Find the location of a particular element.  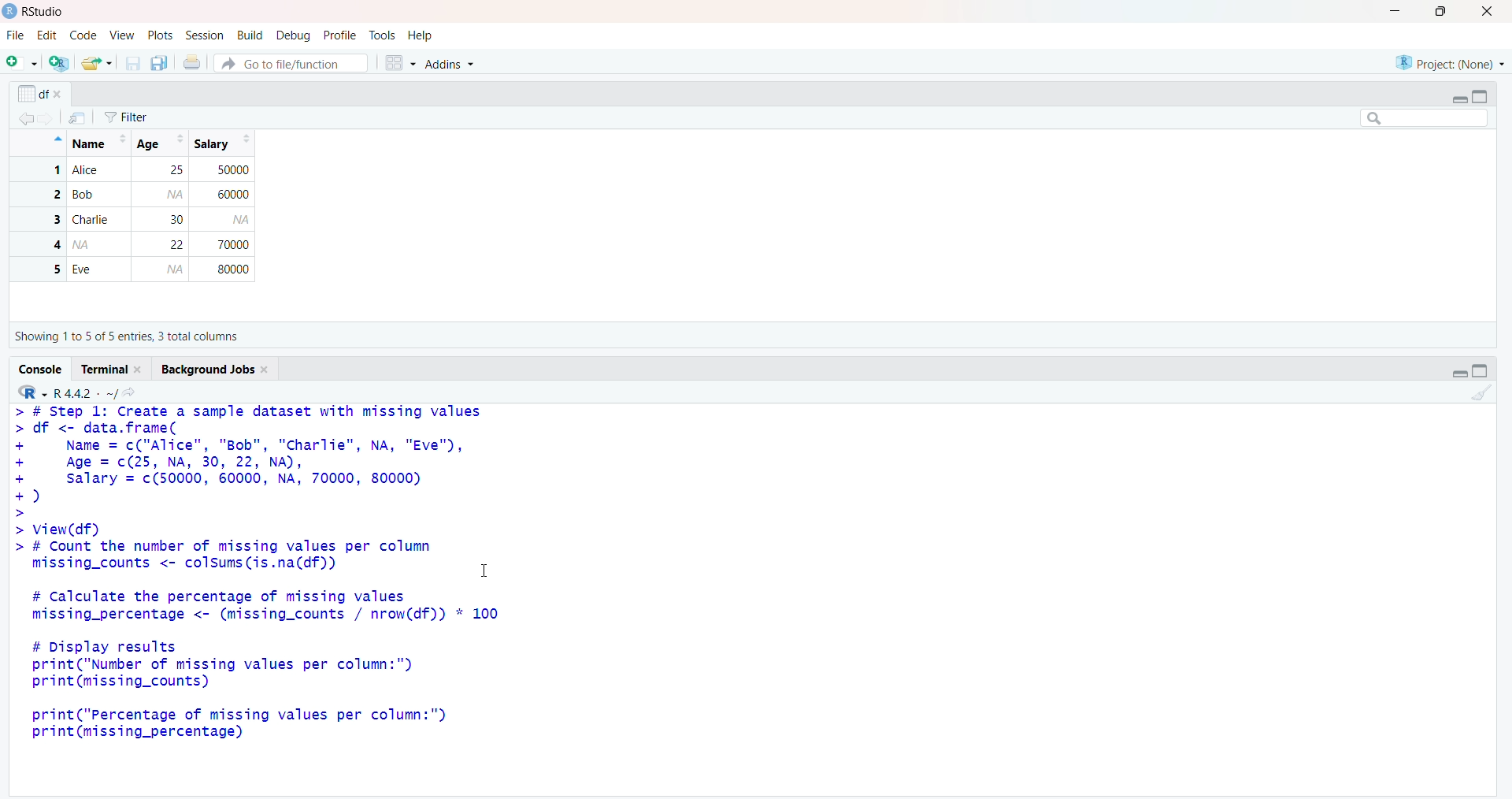

Terminal is located at coordinates (112, 370).